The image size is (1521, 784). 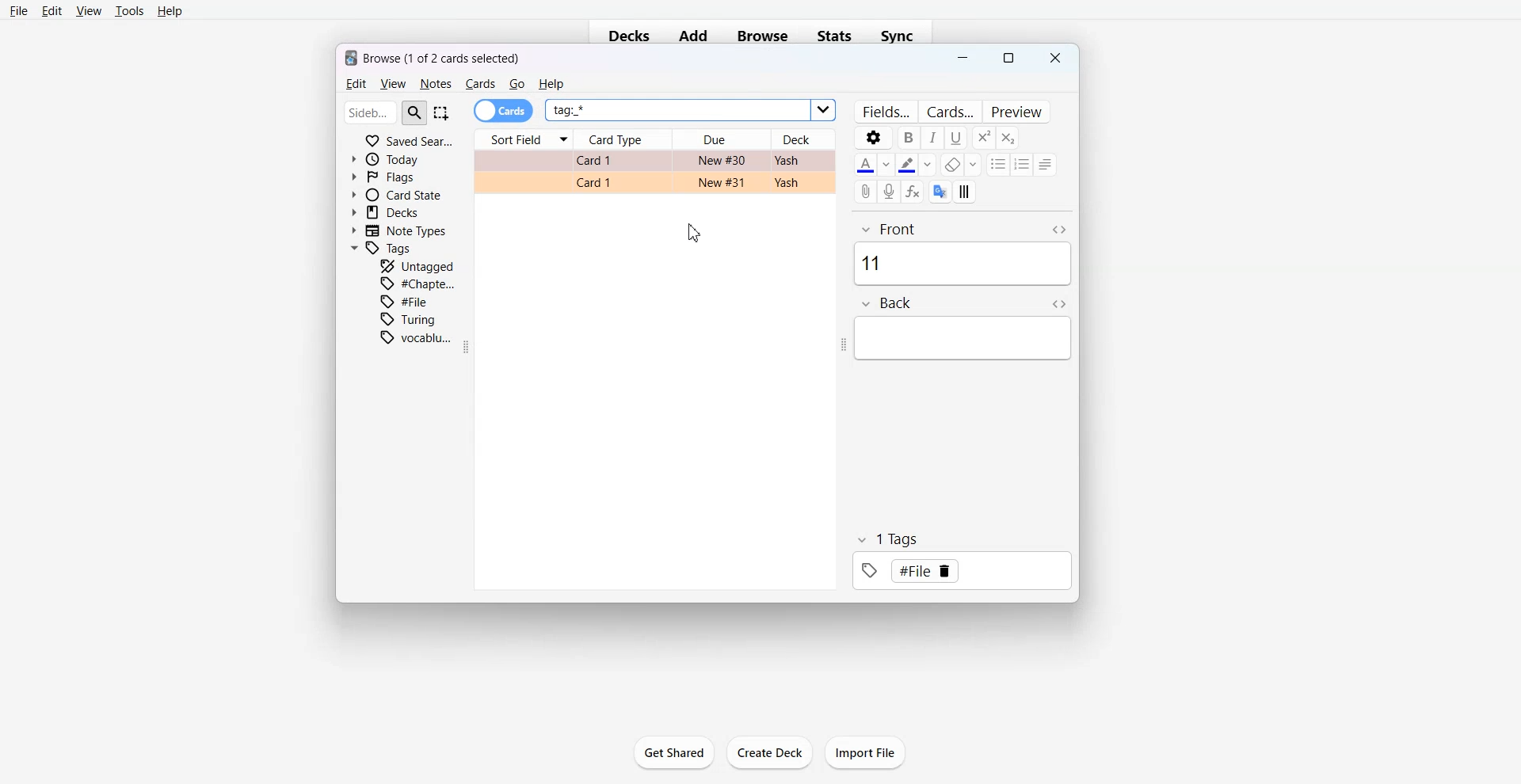 What do you see at coordinates (810, 139) in the screenshot?
I see `Deck` at bounding box center [810, 139].